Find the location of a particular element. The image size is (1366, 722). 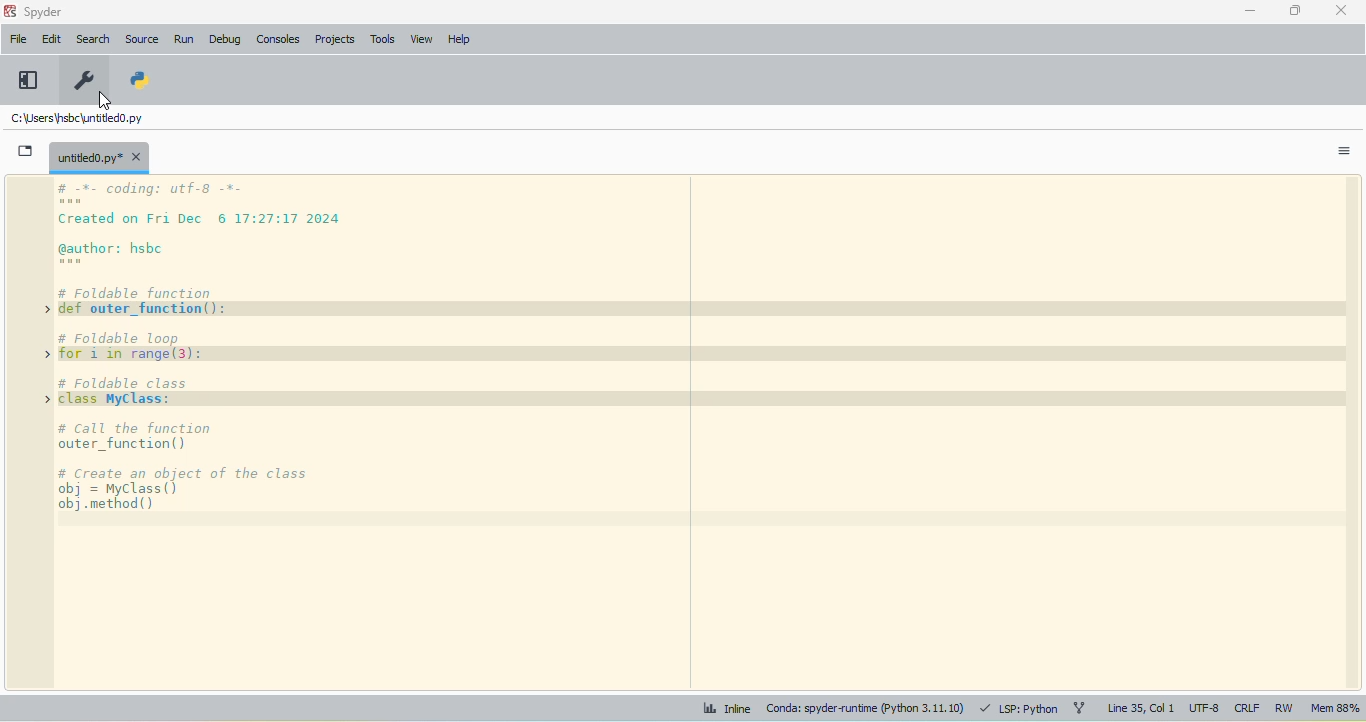

inline is located at coordinates (725, 708).